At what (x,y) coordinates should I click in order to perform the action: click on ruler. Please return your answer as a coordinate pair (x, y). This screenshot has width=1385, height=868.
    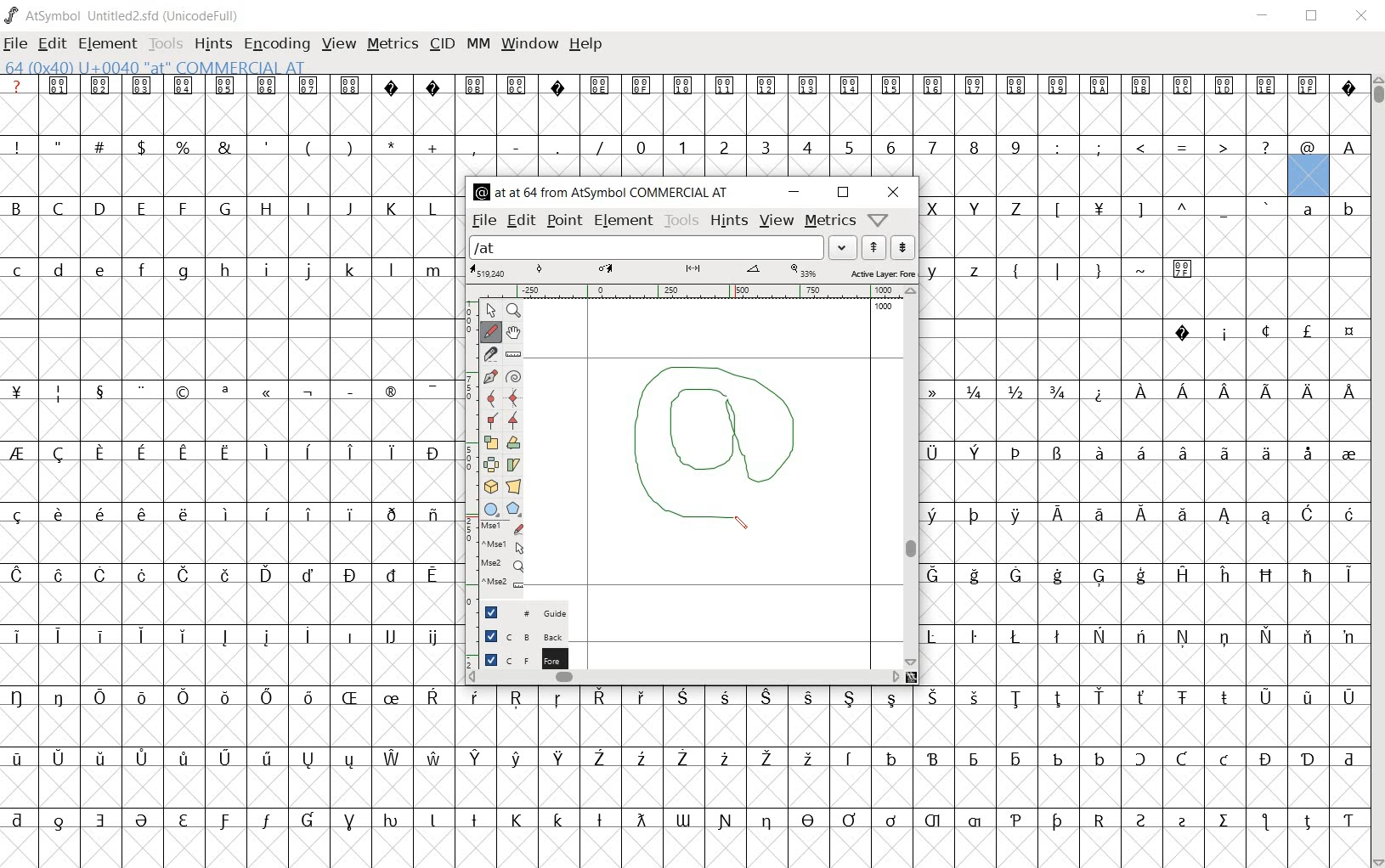
    Looking at the image, I should click on (687, 293).